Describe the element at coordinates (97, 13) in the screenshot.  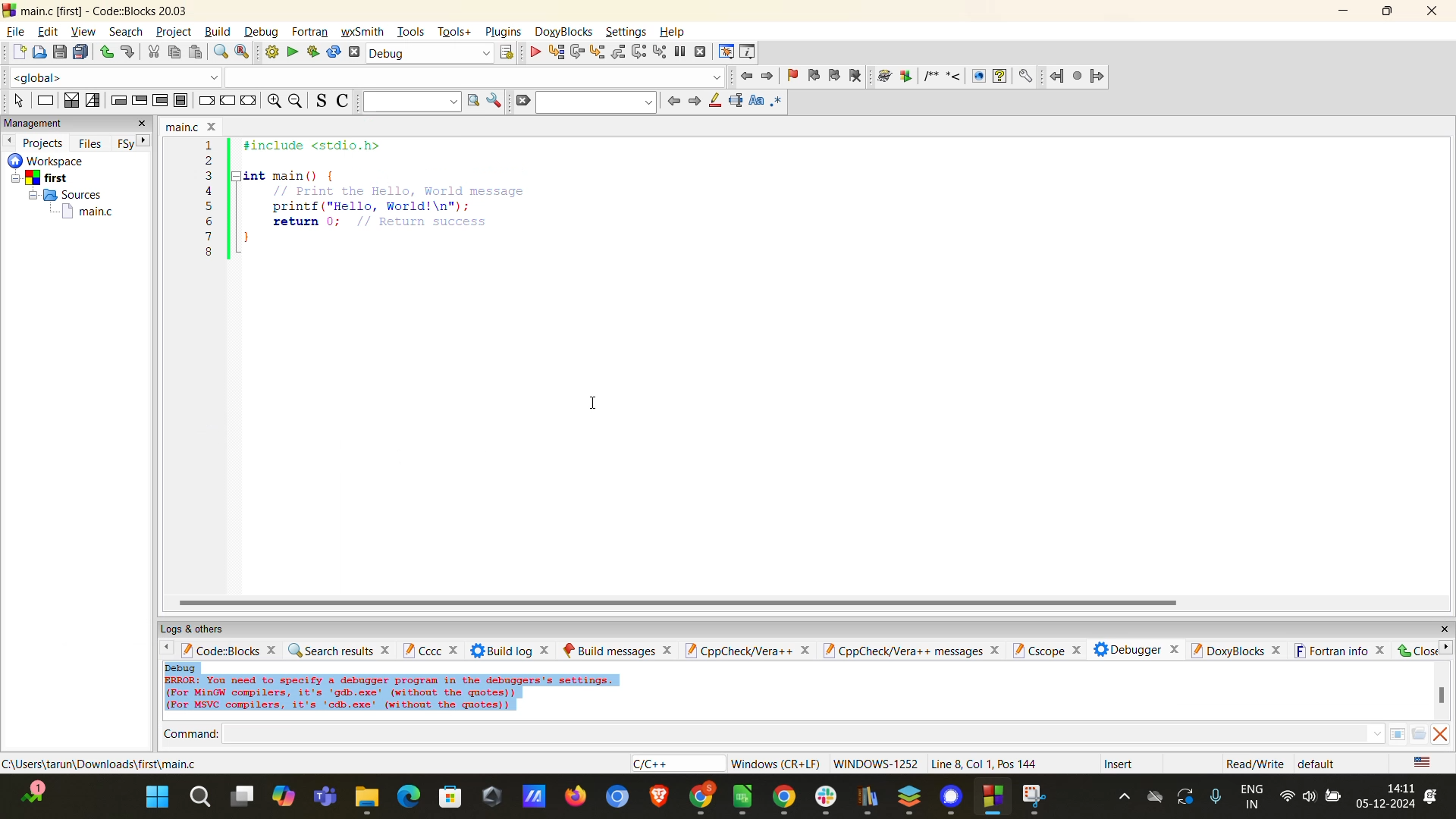
I see `app name and file name` at that location.